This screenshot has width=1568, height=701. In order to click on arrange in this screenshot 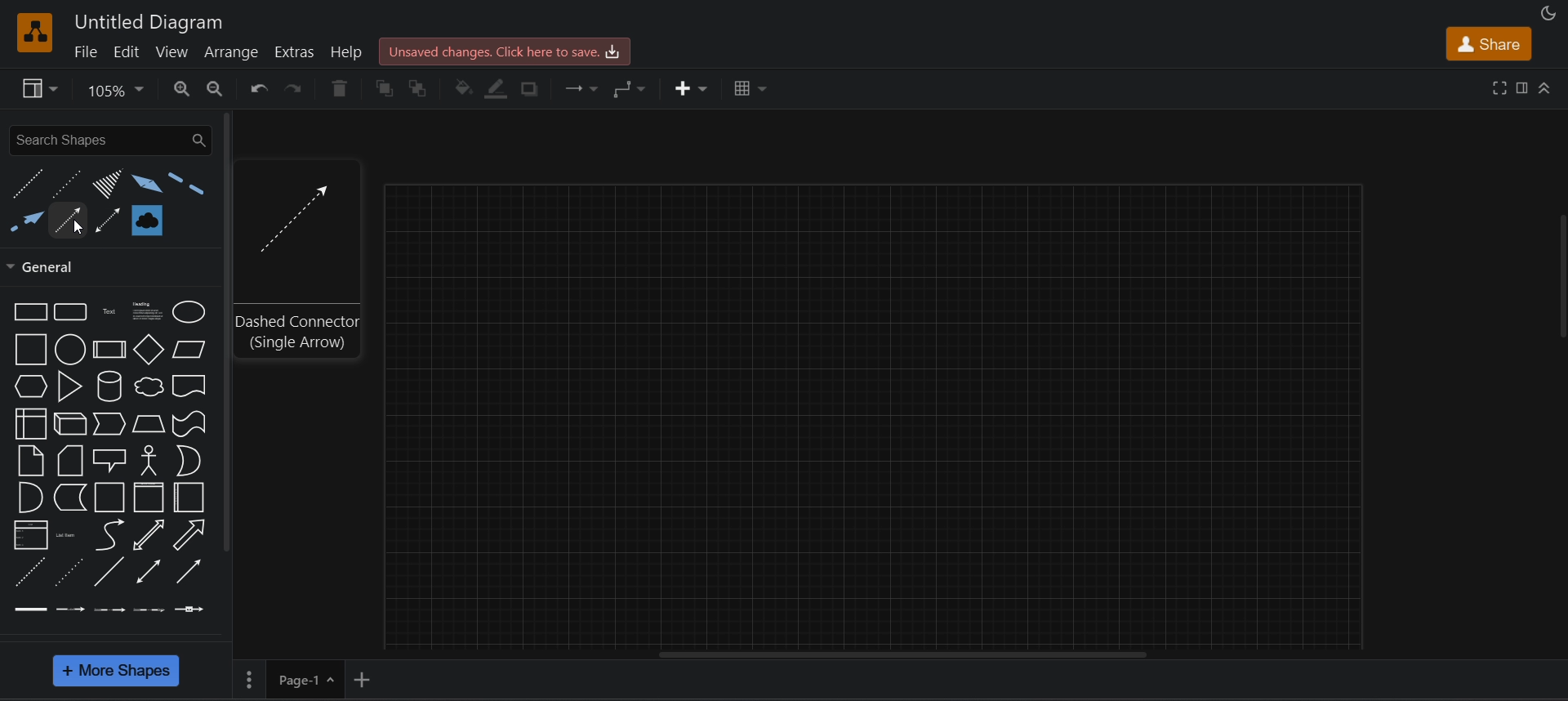, I will do `click(235, 51)`.